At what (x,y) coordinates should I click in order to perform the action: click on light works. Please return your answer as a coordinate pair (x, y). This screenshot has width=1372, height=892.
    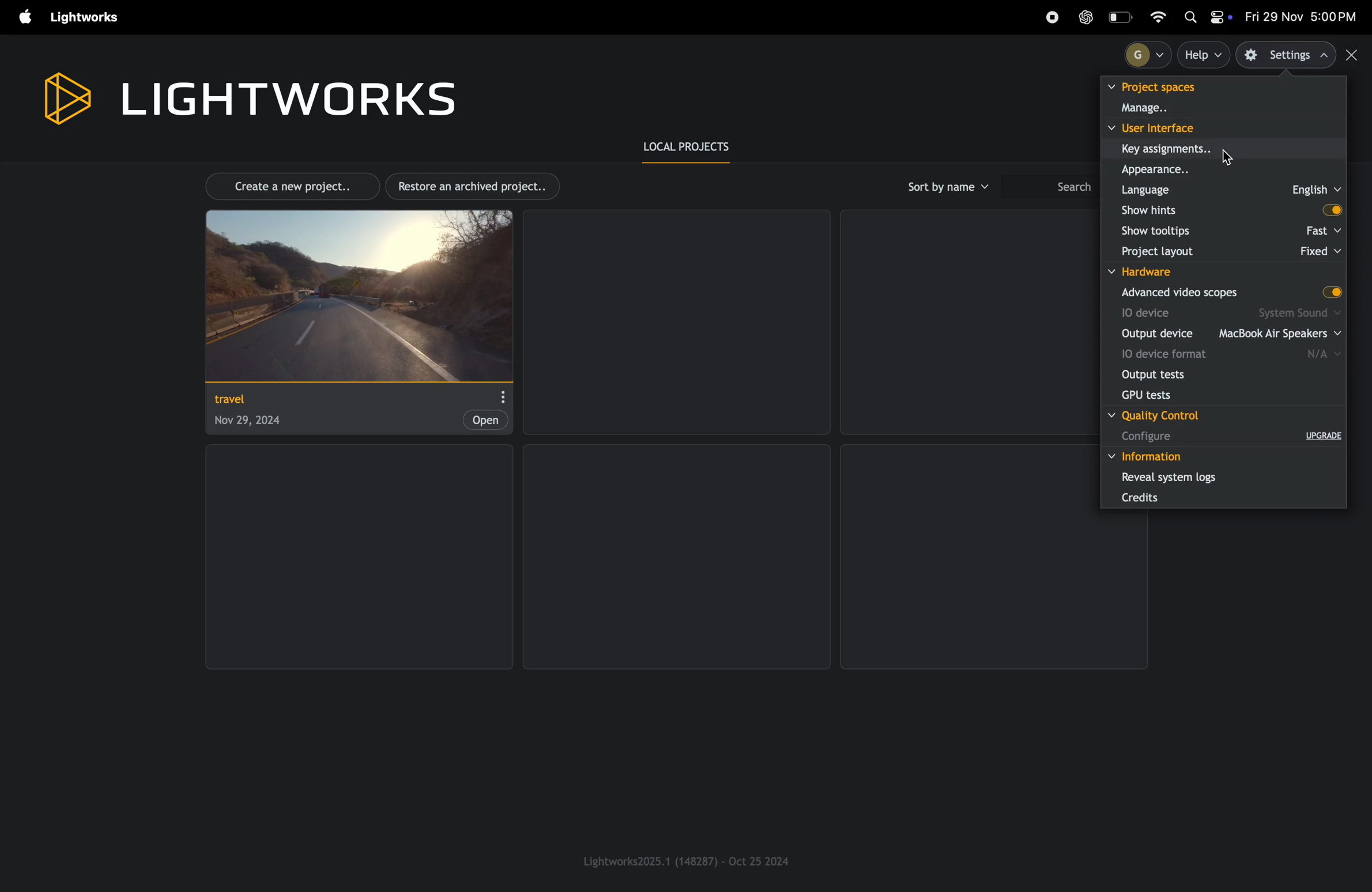
    Looking at the image, I should click on (88, 18).